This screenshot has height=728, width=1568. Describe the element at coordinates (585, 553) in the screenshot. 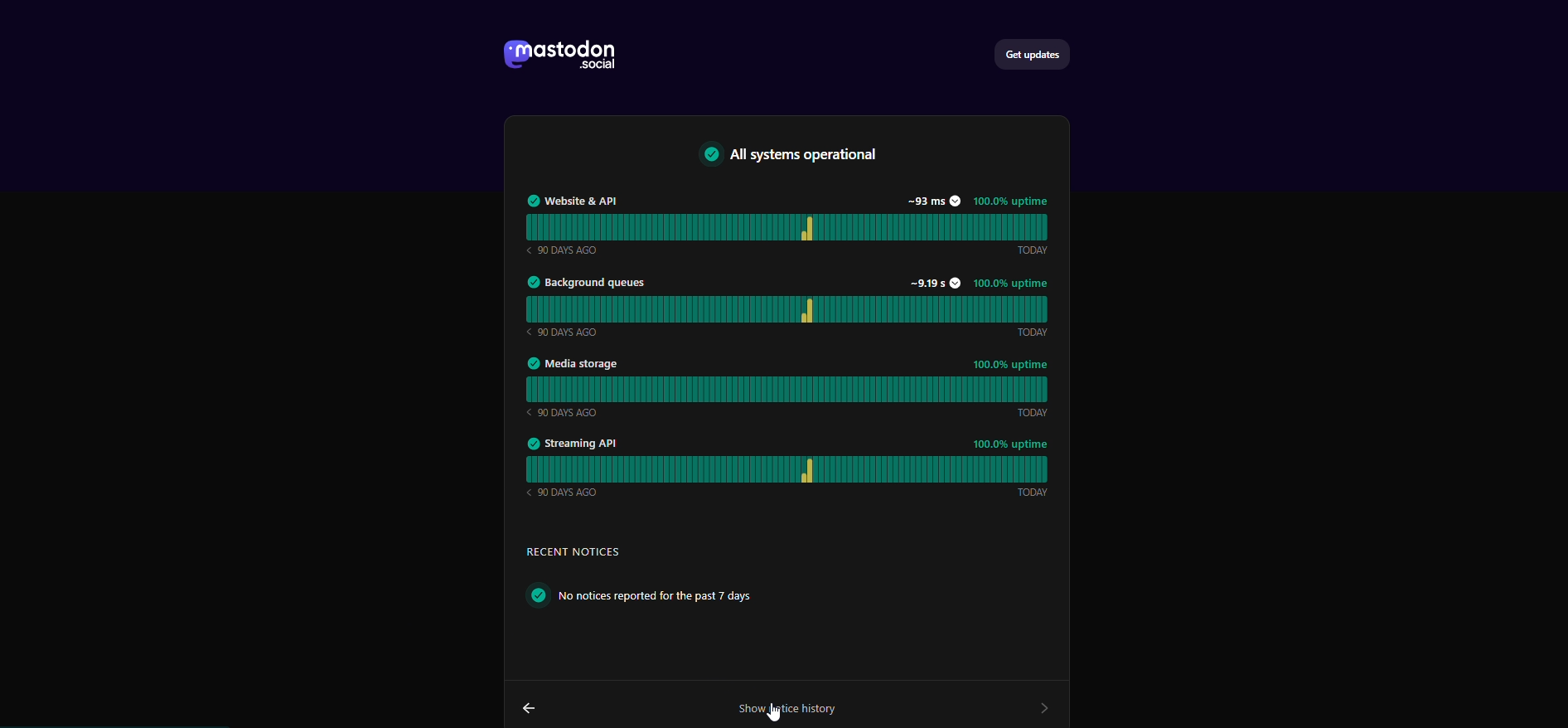

I see `recent notices` at that location.